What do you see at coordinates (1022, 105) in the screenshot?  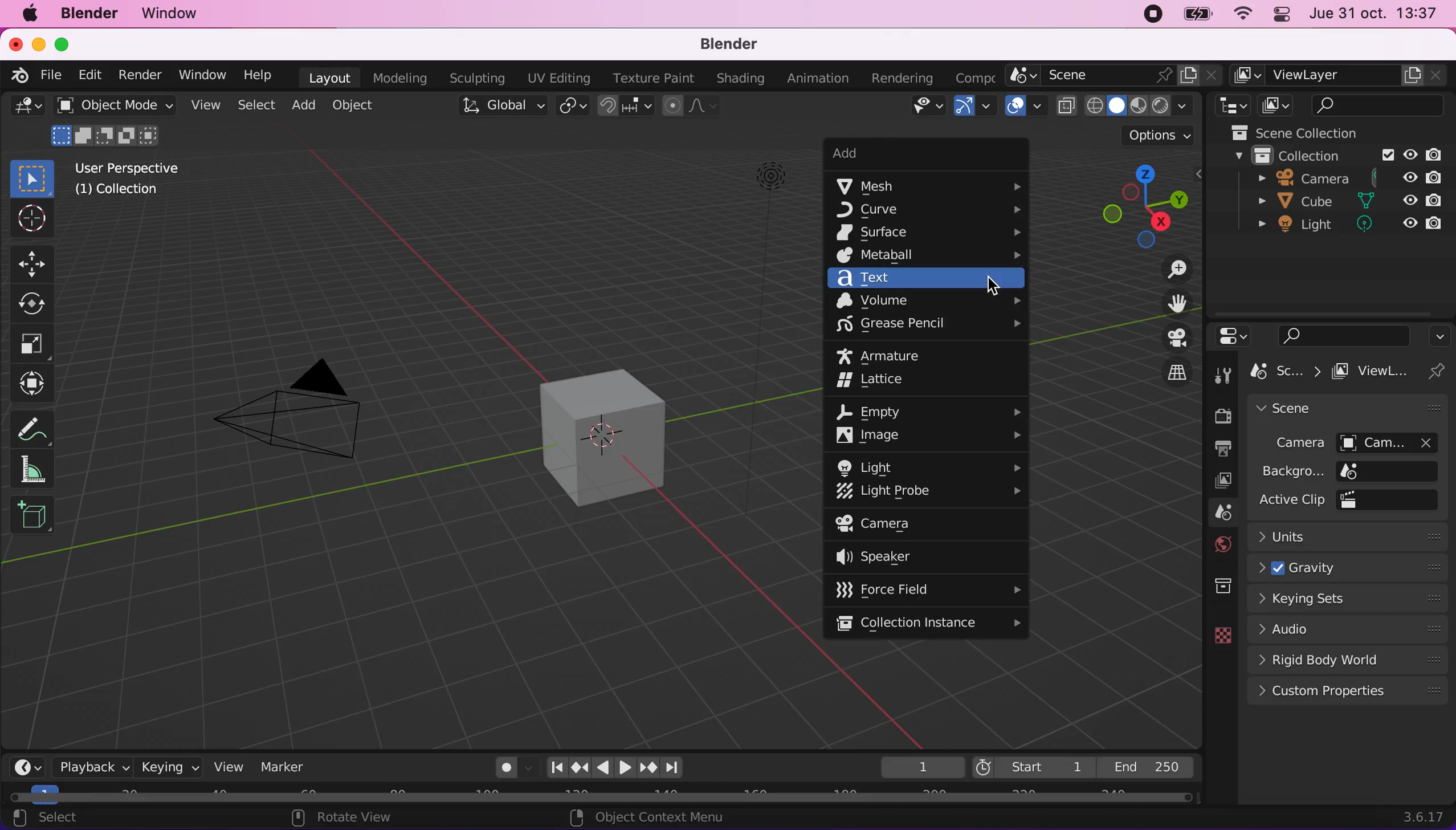 I see `overlays` at bounding box center [1022, 105].